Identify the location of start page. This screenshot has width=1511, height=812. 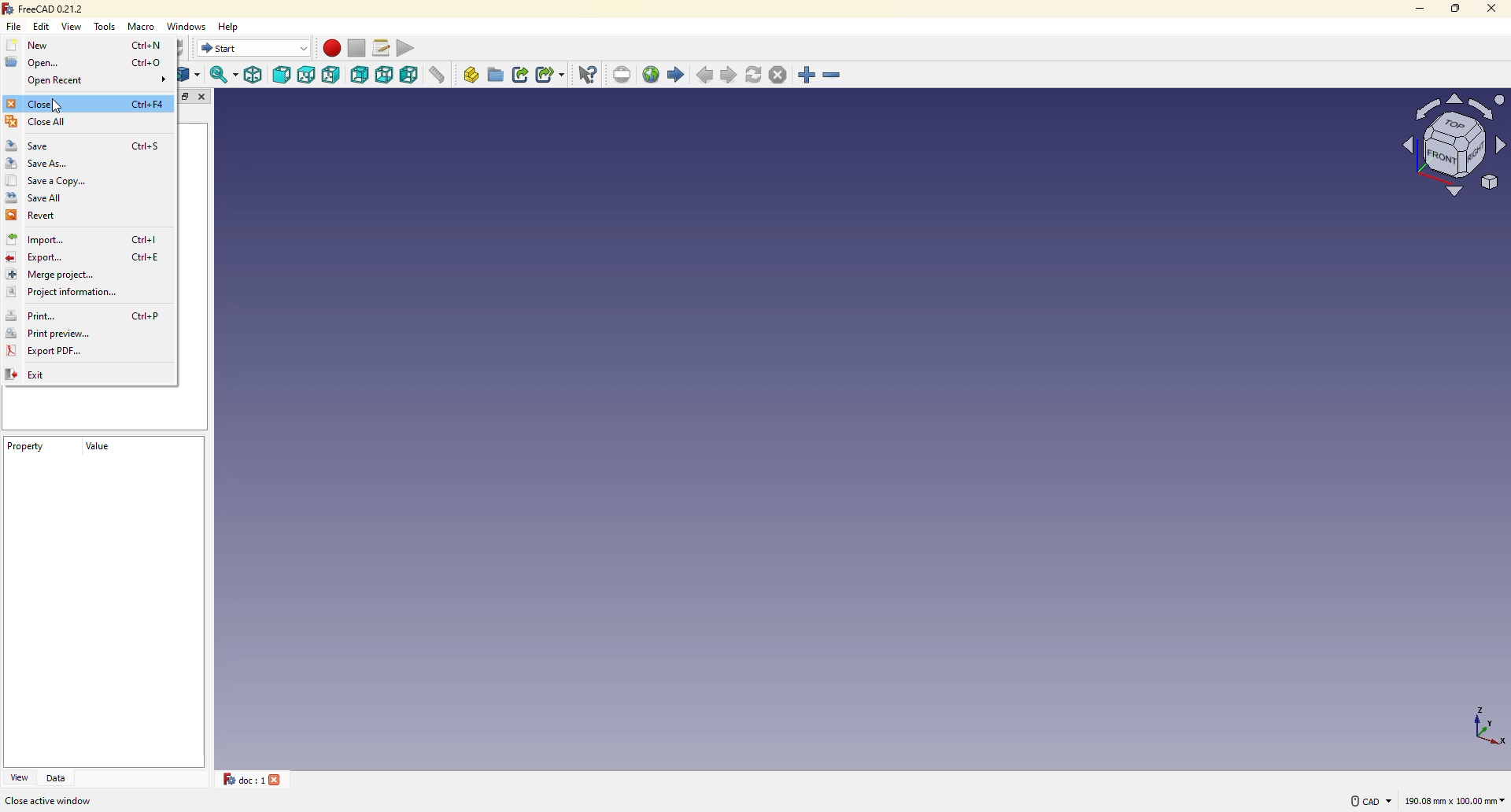
(676, 75).